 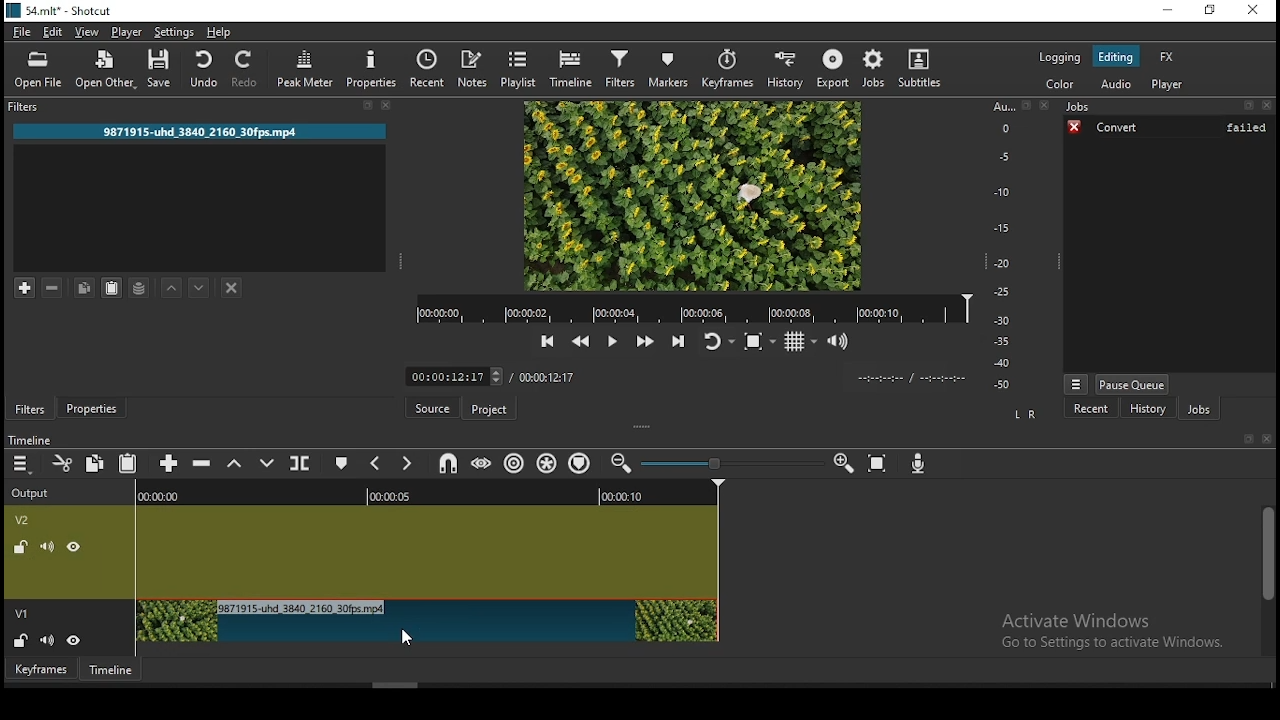 What do you see at coordinates (376, 465) in the screenshot?
I see `previous marker` at bounding box center [376, 465].